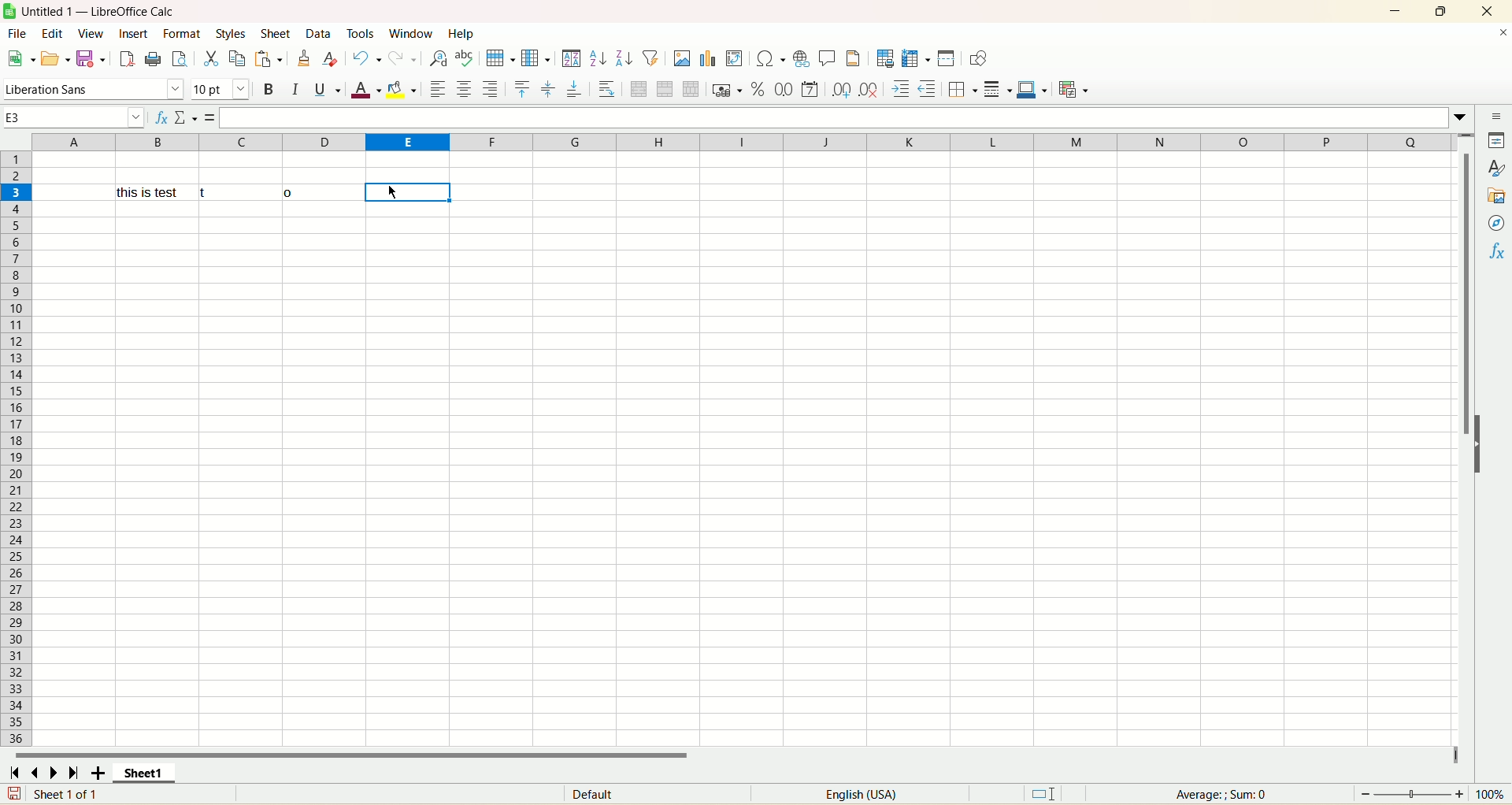  I want to click on zoom factor, so click(1433, 794).